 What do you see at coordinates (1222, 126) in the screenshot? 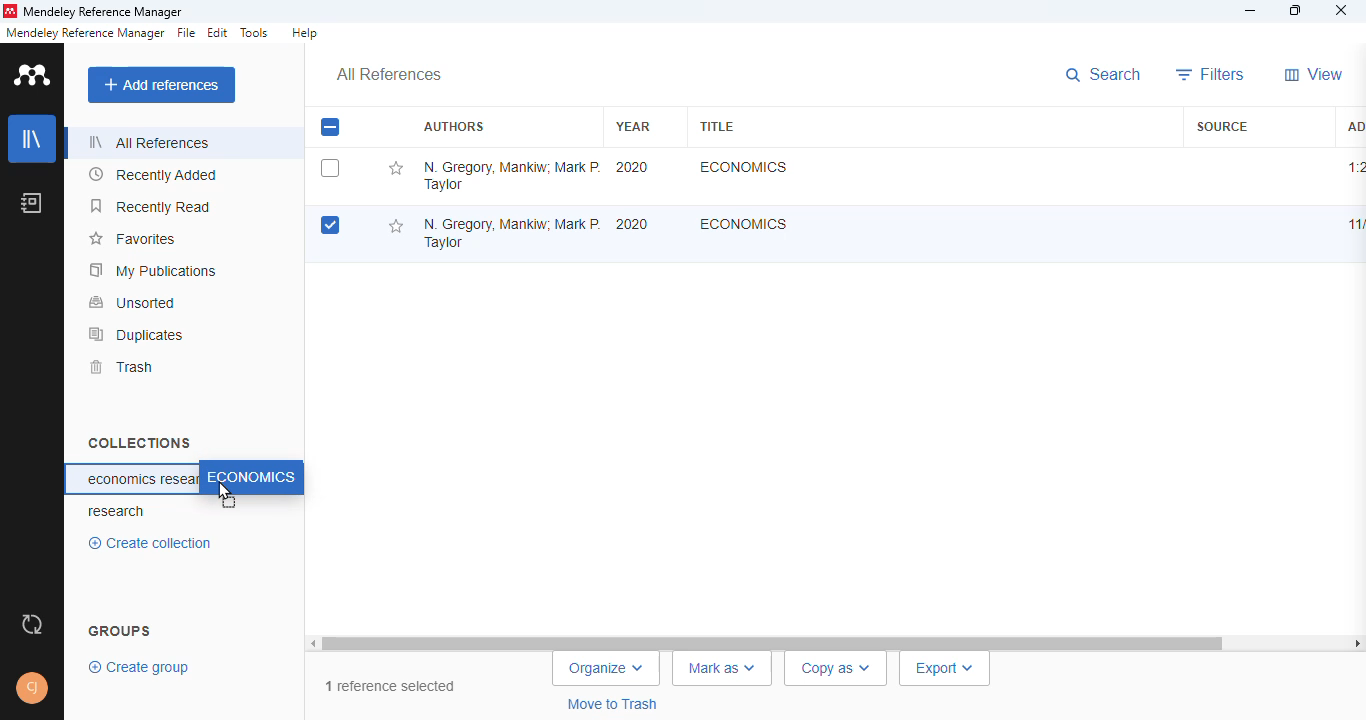
I see `source` at bounding box center [1222, 126].